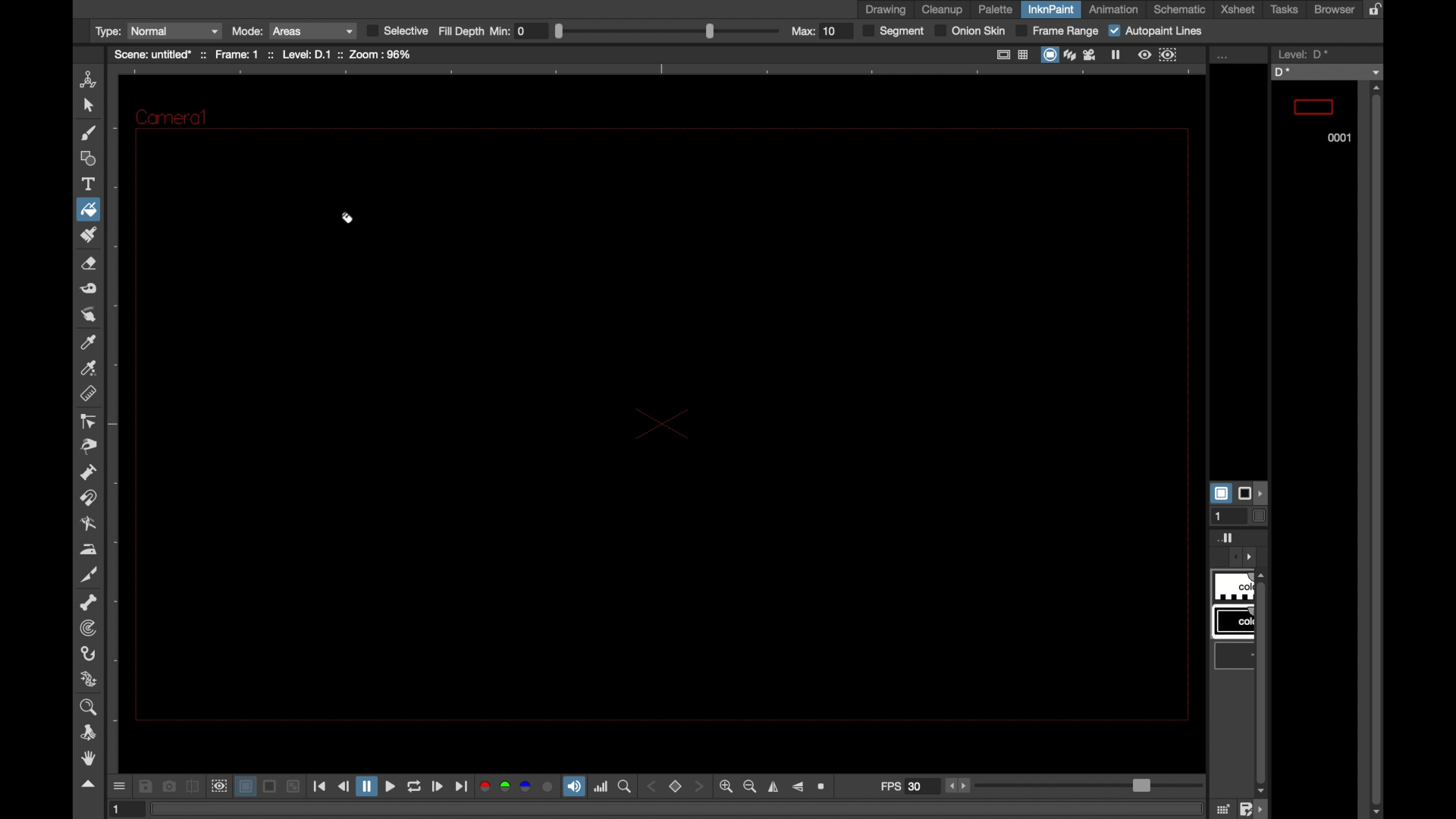 The height and width of the screenshot is (819, 1456). I want to click on ruler tool, so click(87, 394).